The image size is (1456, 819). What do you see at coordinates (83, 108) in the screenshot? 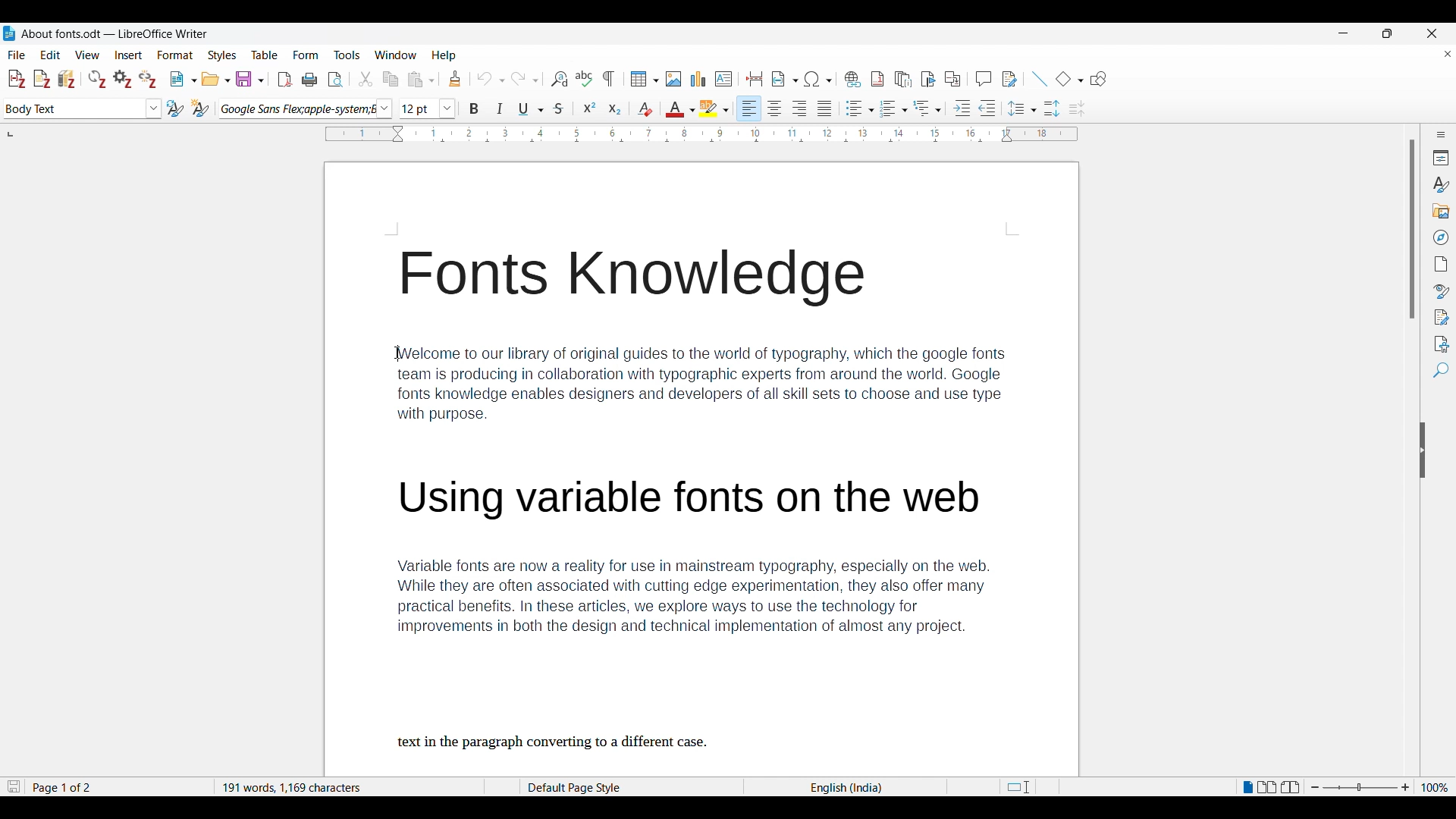
I see `Text style options` at bounding box center [83, 108].